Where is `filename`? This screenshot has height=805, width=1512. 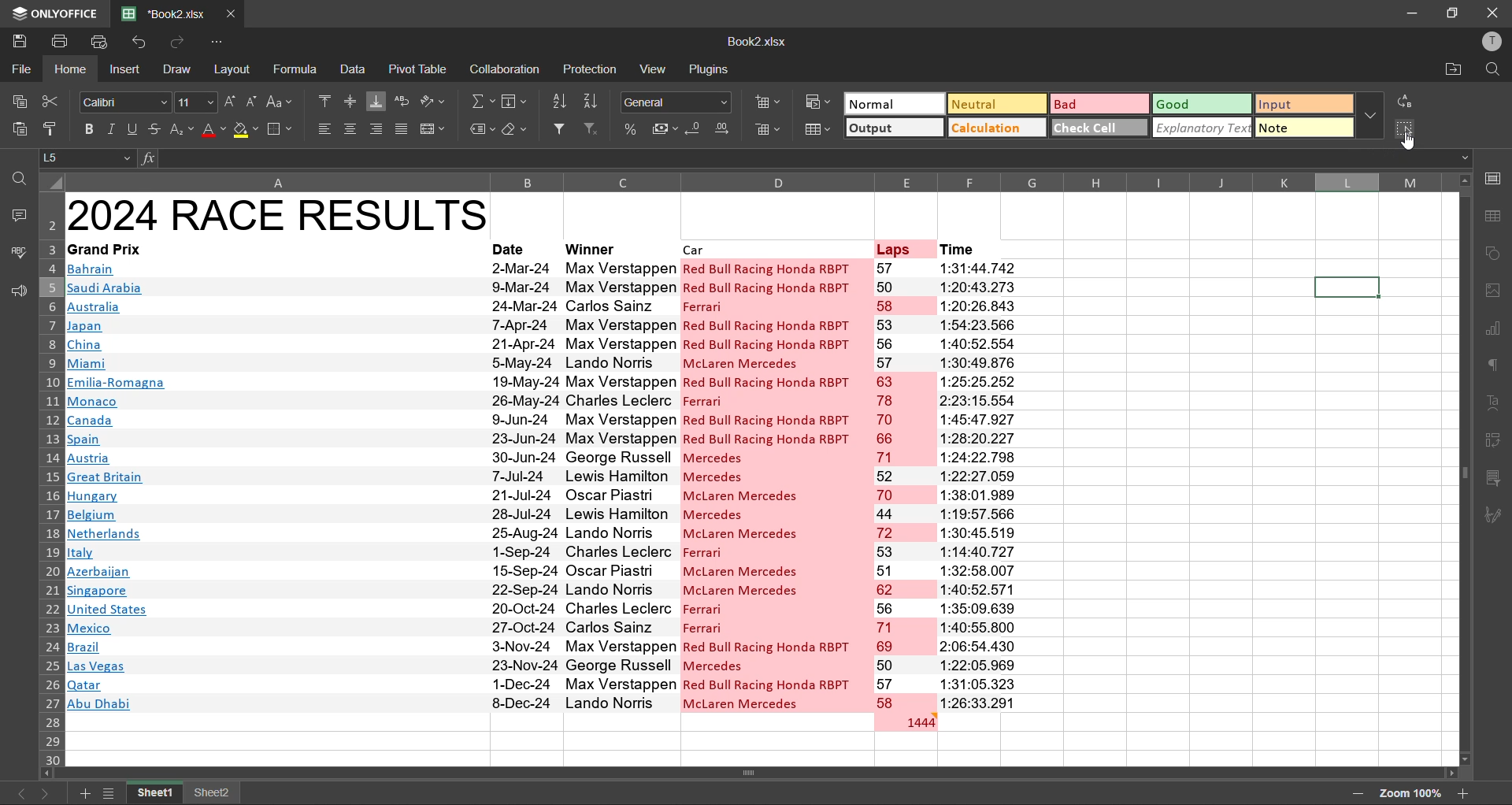
filename is located at coordinates (169, 13).